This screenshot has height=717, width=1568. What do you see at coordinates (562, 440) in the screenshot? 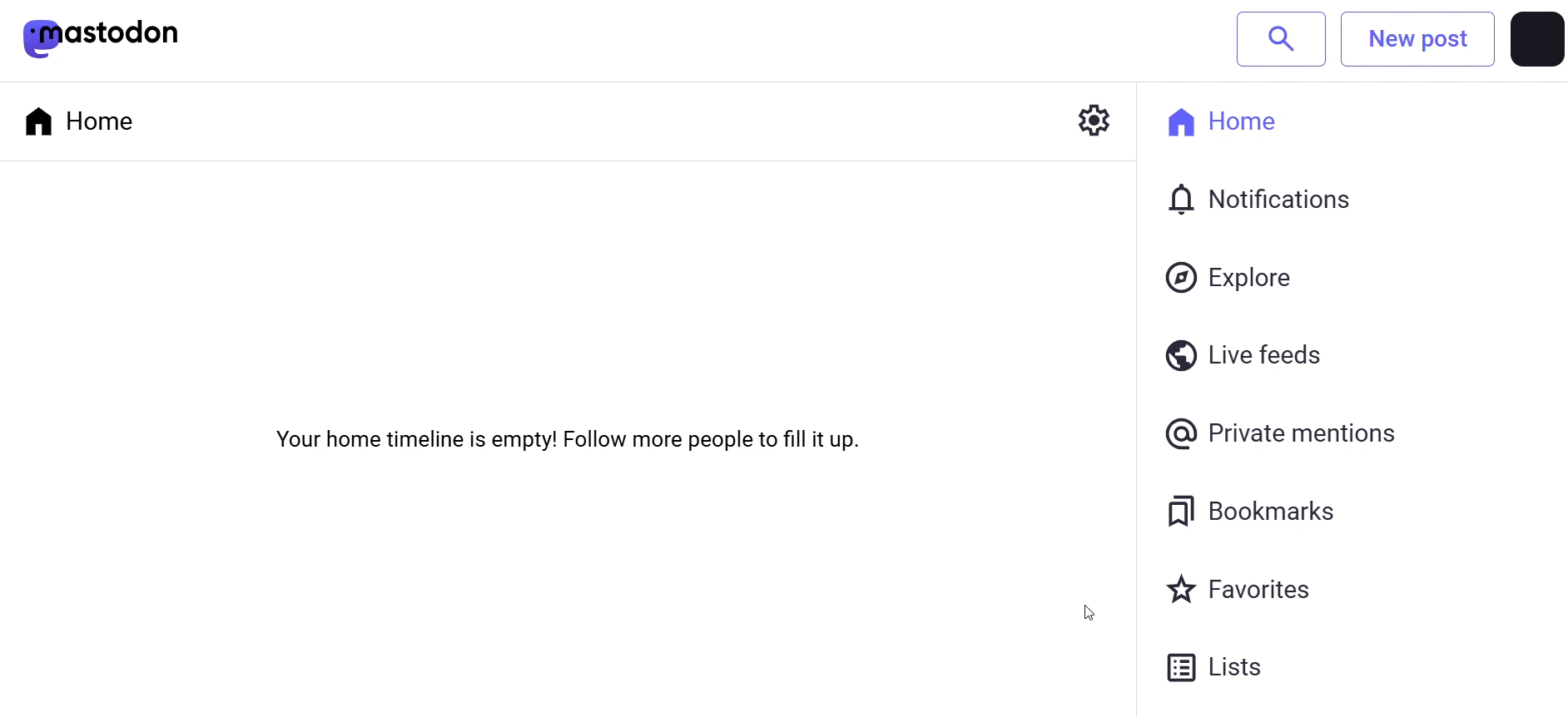
I see `Your home timeline is empty! Follow more people to fill it up.` at bounding box center [562, 440].